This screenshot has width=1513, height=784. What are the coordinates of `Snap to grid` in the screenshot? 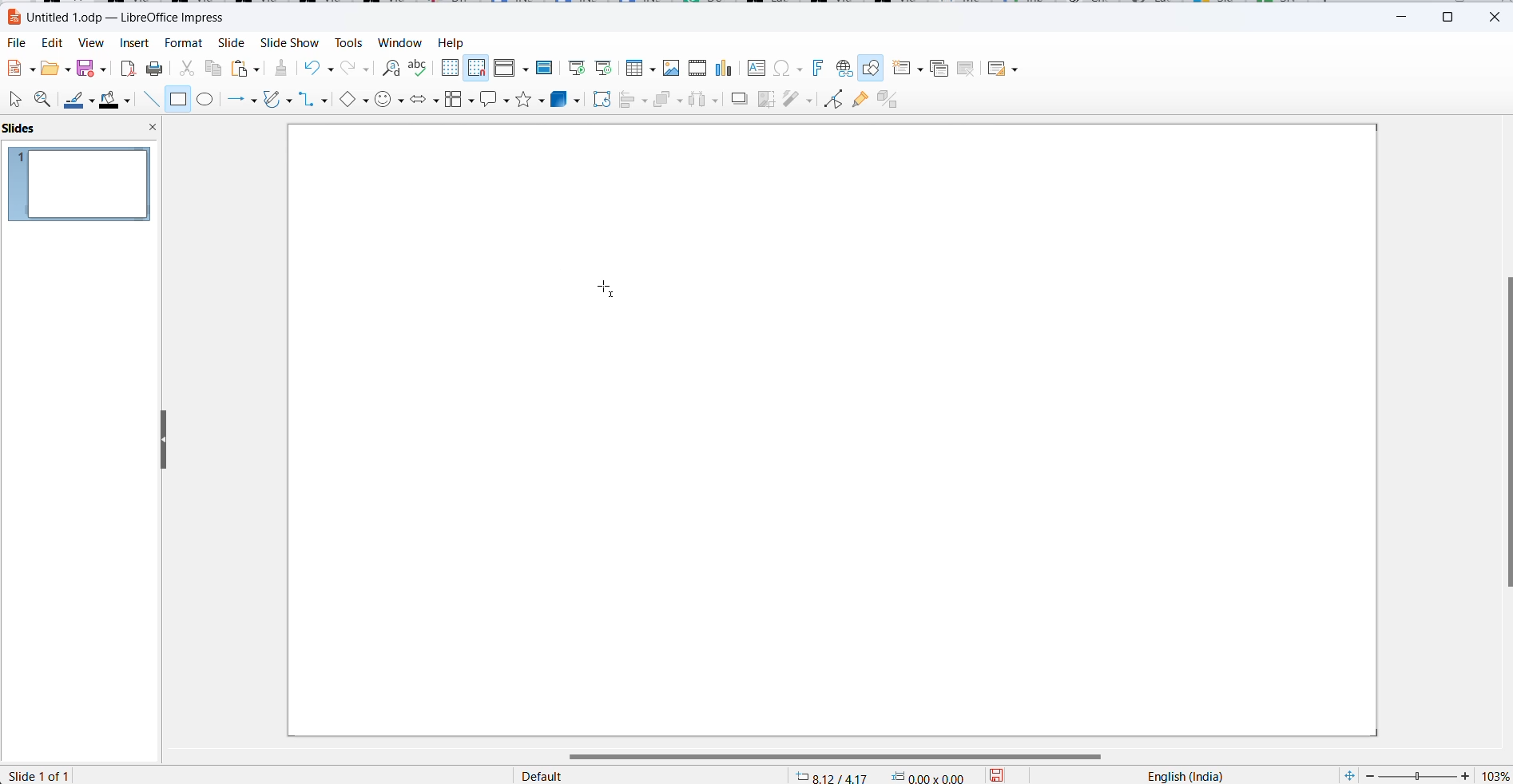 It's located at (477, 68).